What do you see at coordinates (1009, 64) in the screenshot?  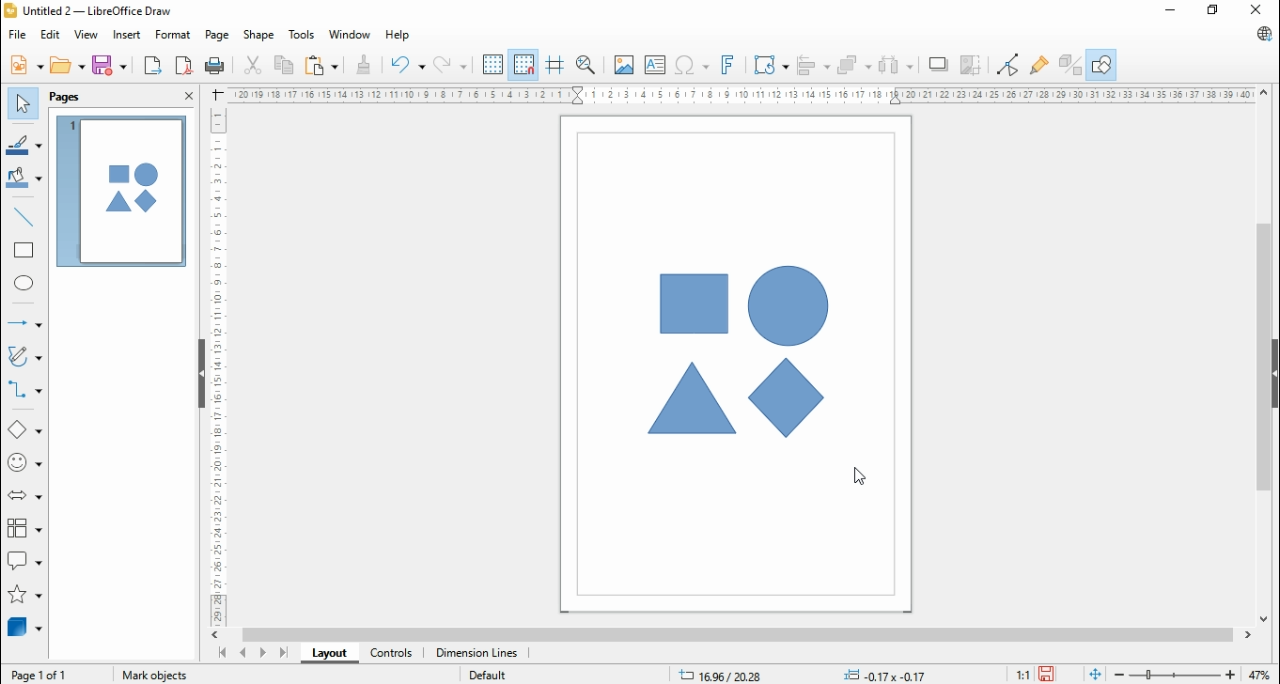 I see `toggle point edit mode` at bounding box center [1009, 64].